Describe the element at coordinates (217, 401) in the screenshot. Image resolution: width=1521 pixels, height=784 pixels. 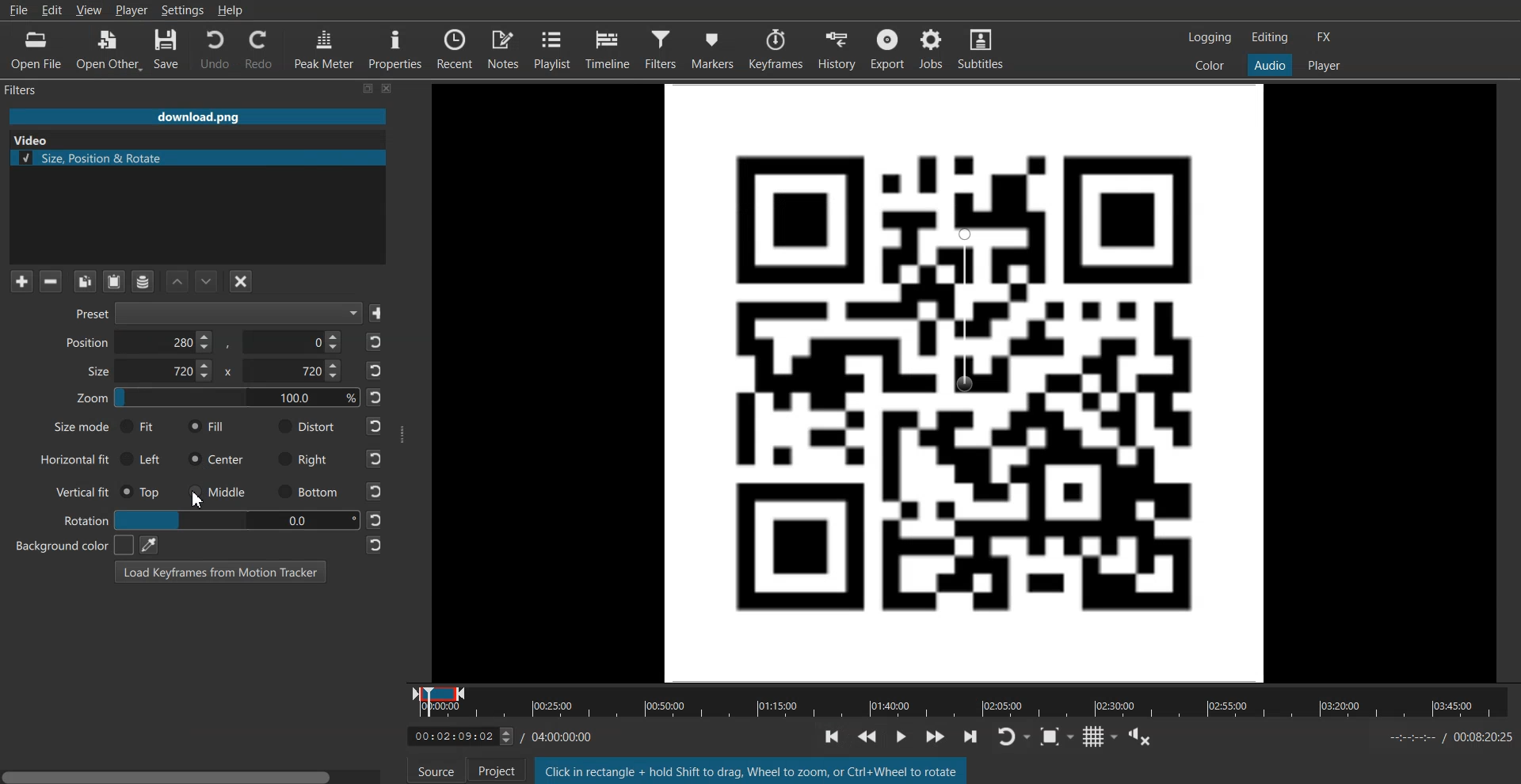
I see `Zoom Adjuster` at that location.